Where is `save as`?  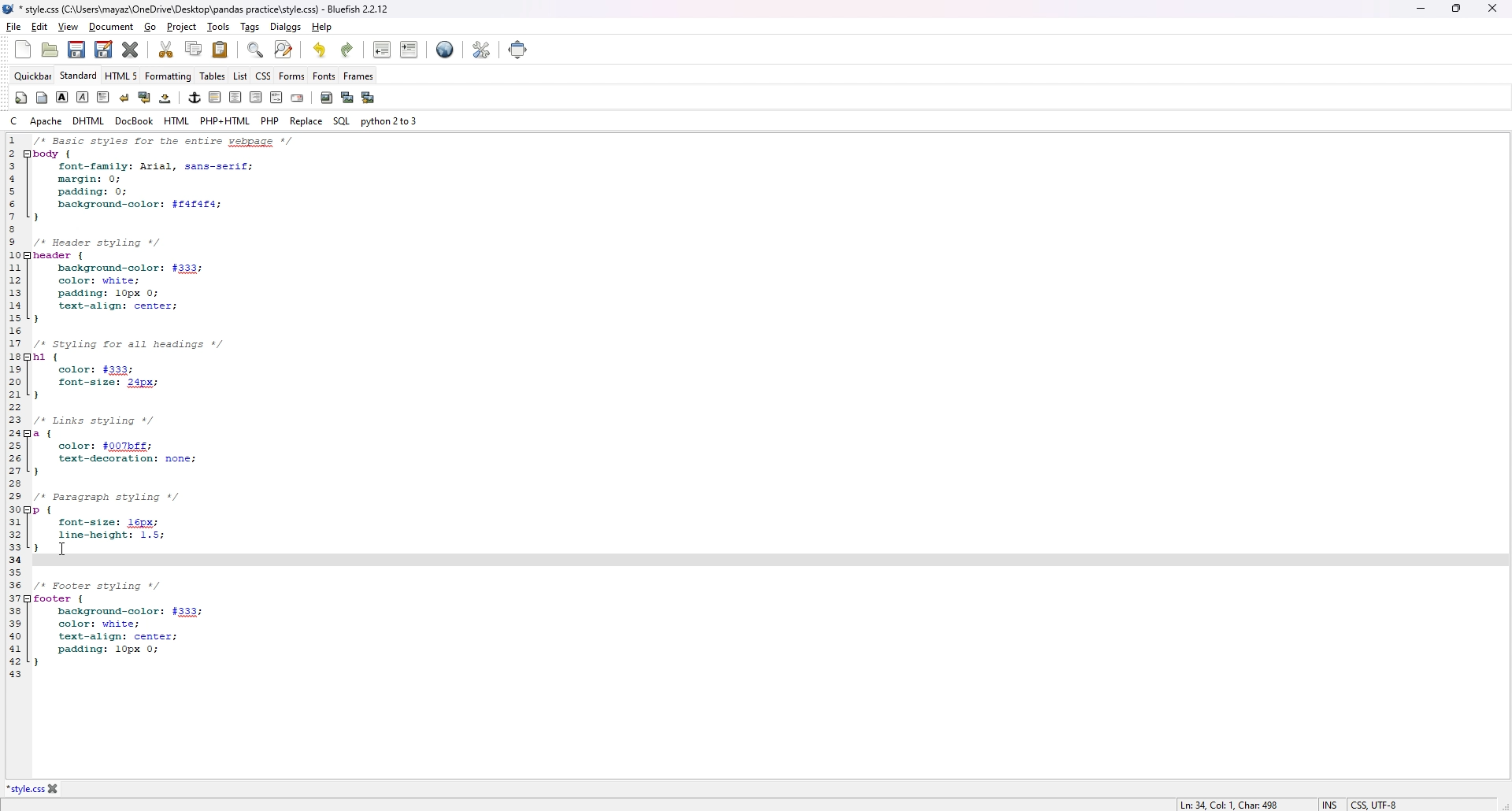
save as is located at coordinates (105, 50).